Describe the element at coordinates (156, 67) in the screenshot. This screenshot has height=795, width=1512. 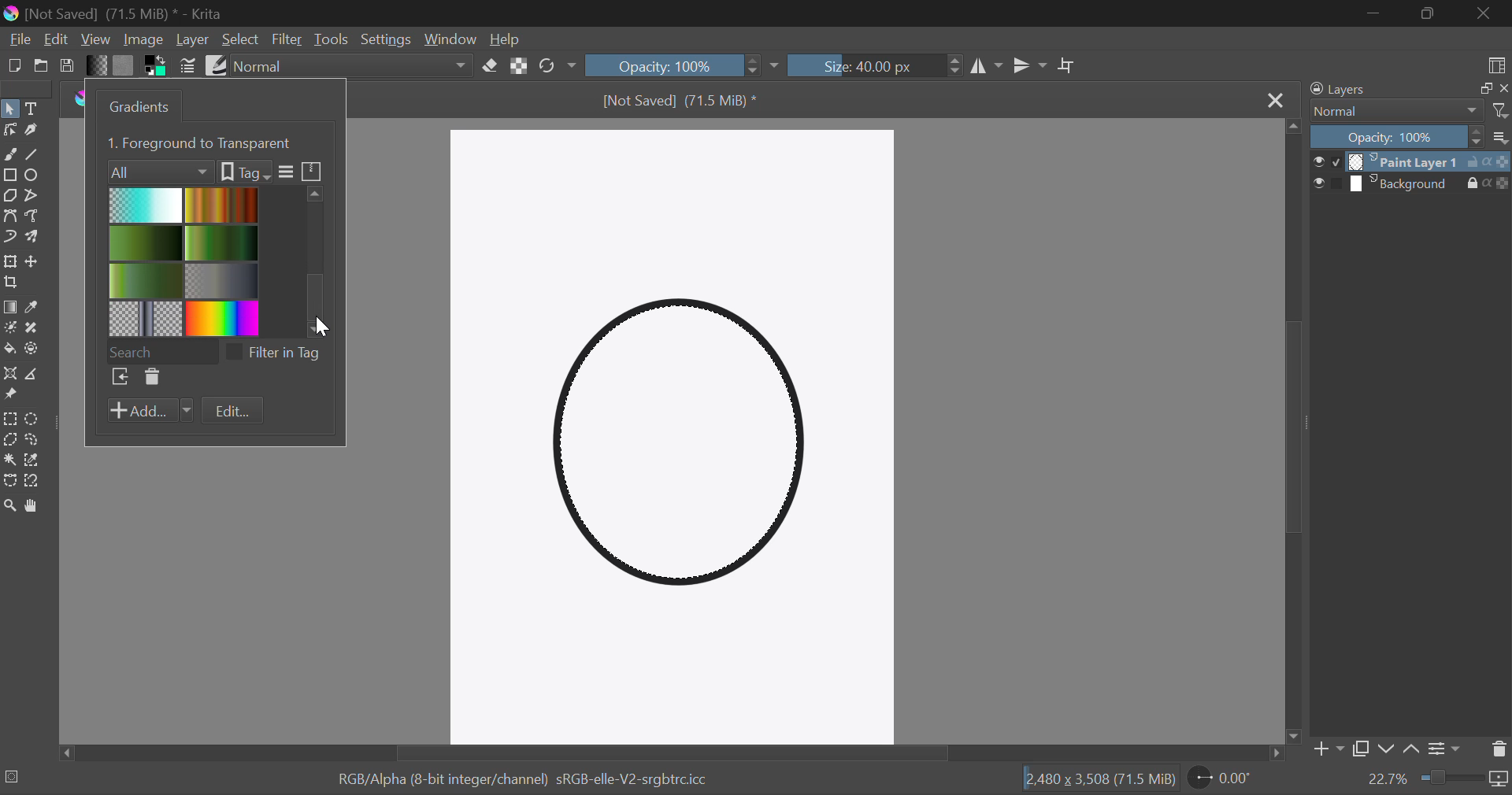
I see `Colors in use` at that location.